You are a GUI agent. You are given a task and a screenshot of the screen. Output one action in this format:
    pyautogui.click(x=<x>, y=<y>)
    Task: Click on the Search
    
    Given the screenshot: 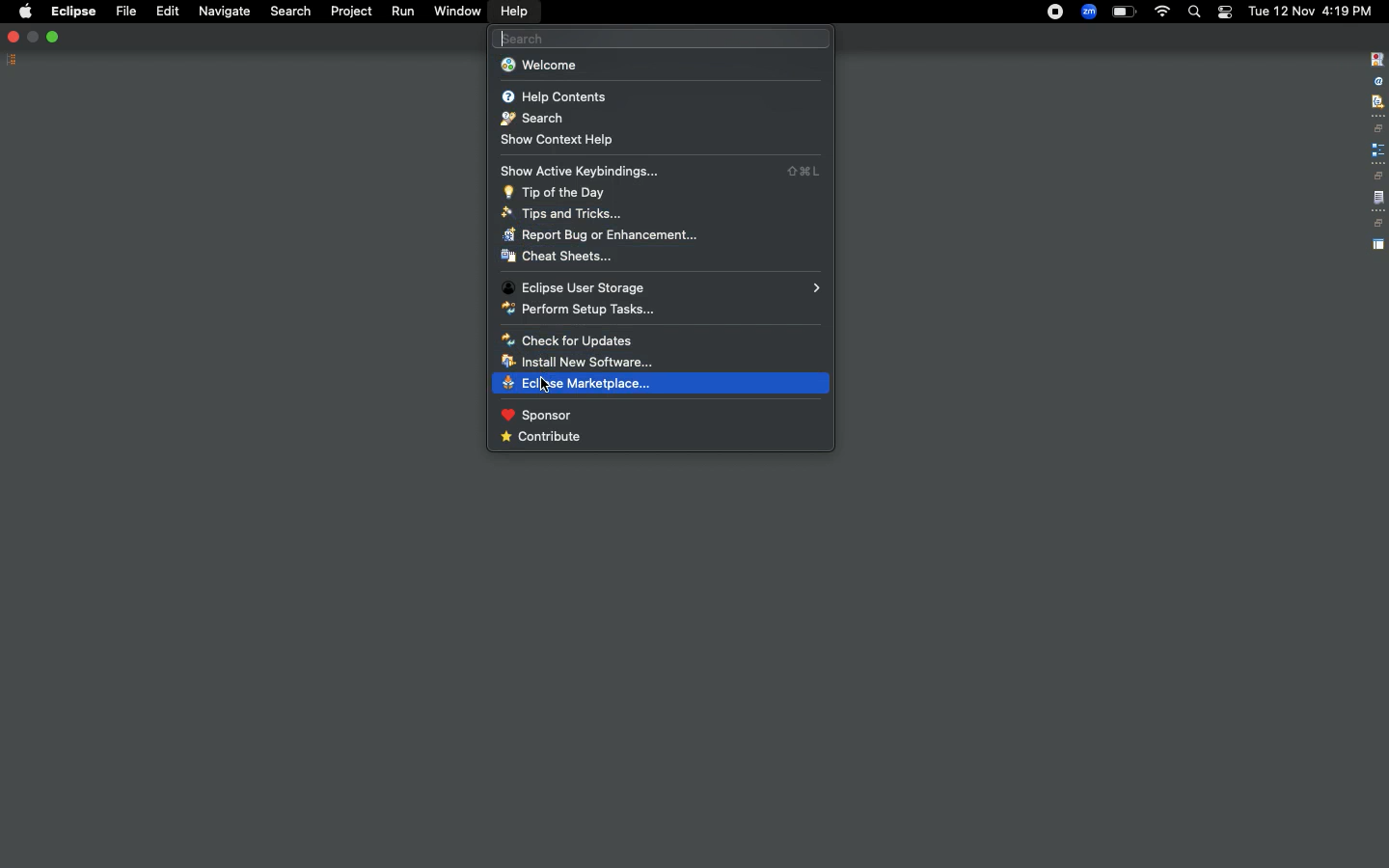 What is the action you would take?
    pyautogui.click(x=658, y=38)
    